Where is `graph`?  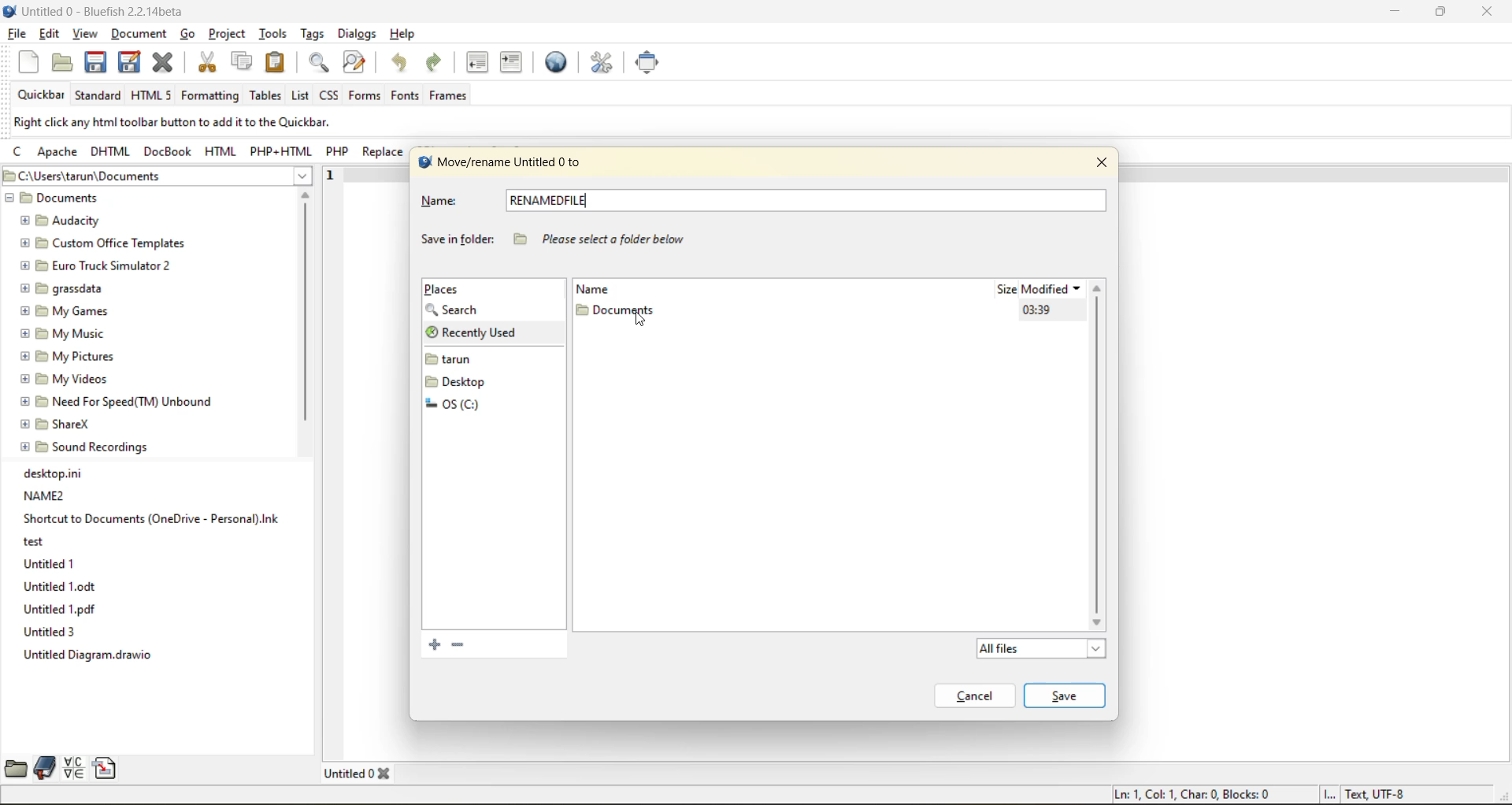 graph is located at coordinates (1089, 473).